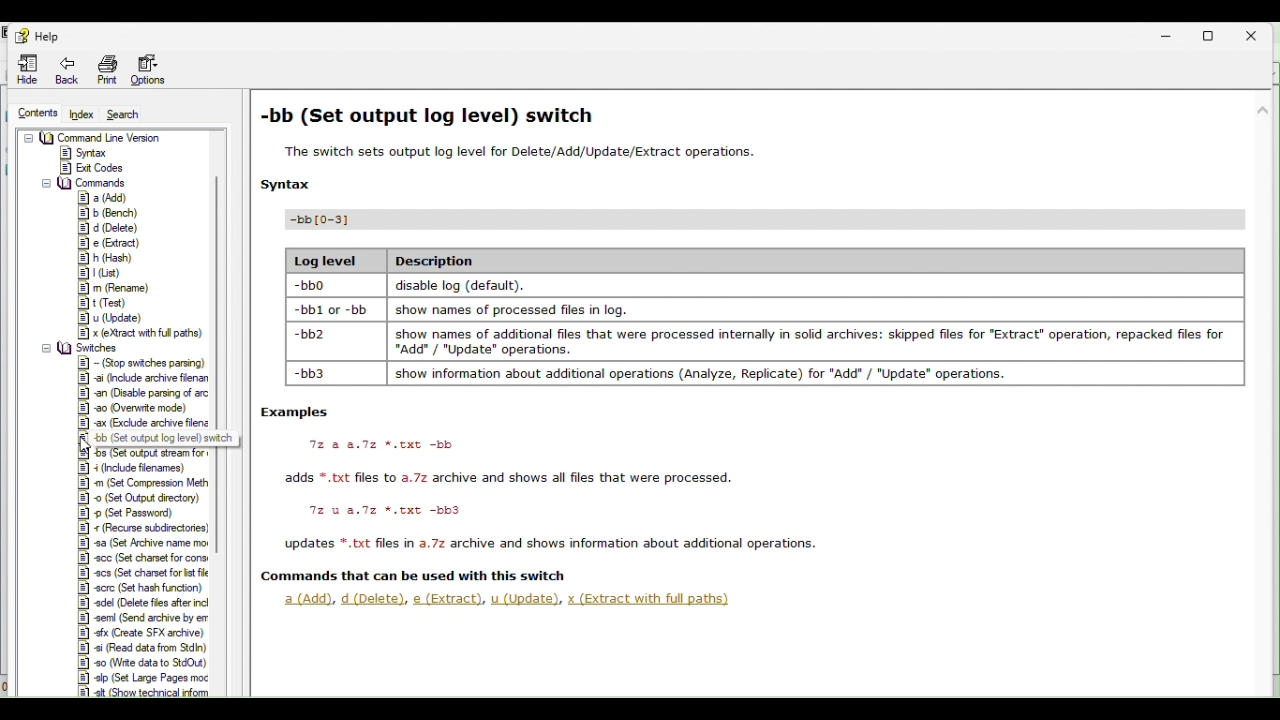 This screenshot has width=1280, height=720. What do you see at coordinates (107, 69) in the screenshot?
I see `Print` at bounding box center [107, 69].